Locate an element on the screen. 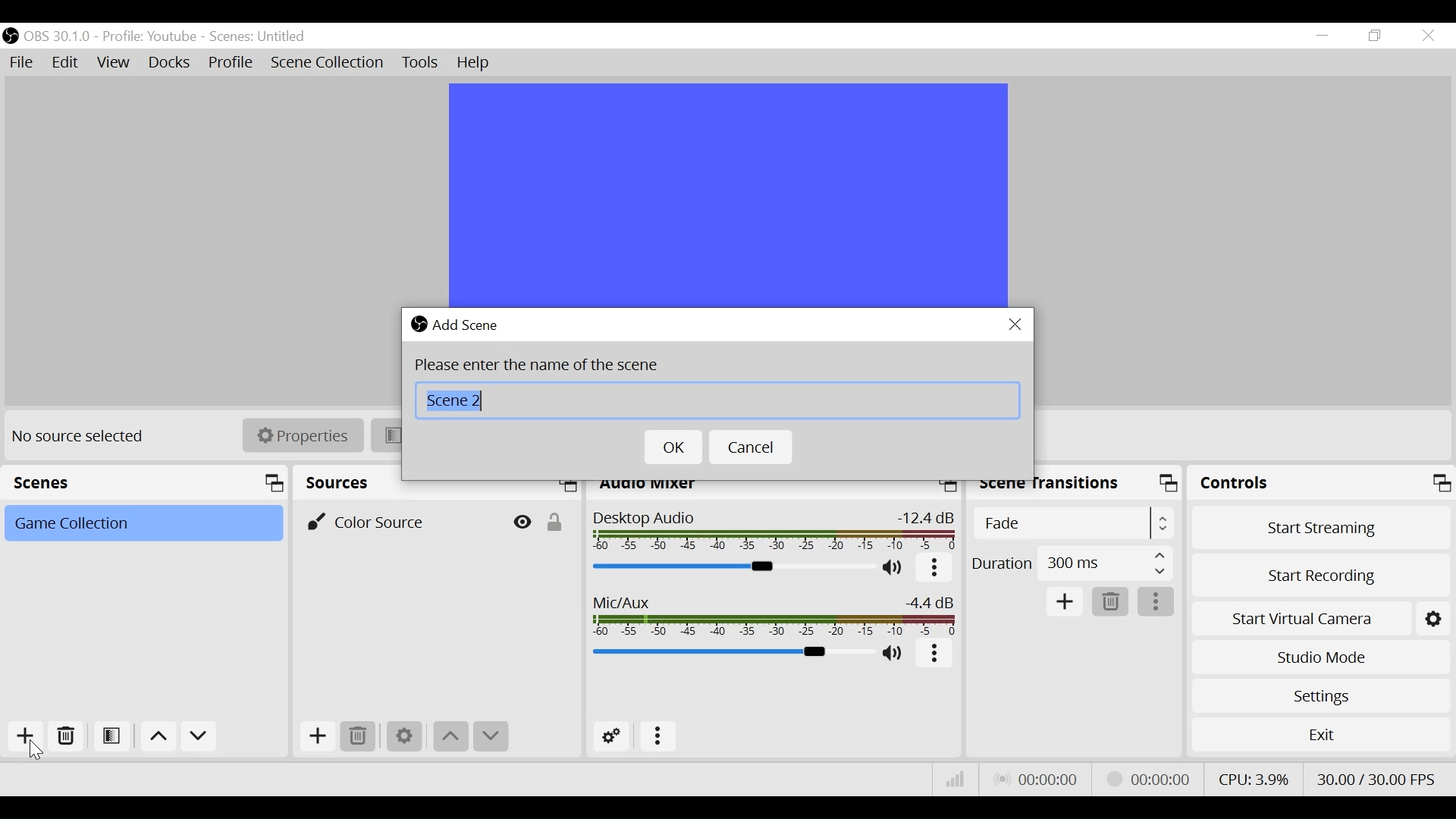 The height and width of the screenshot is (819, 1456). OBS Studio Desktop icon is located at coordinates (417, 324).